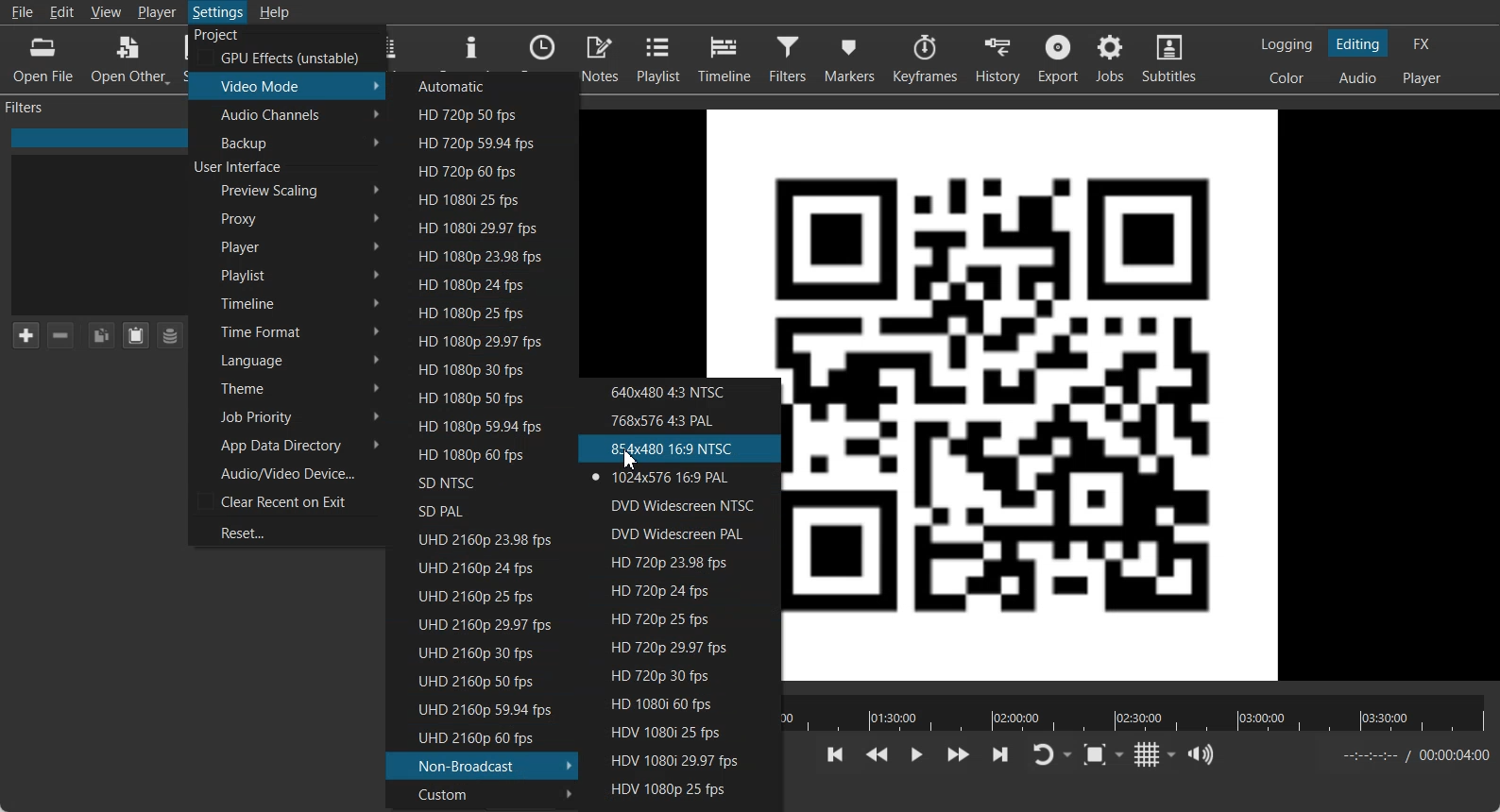  I want to click on Skip to the next point, so click(999, 754).